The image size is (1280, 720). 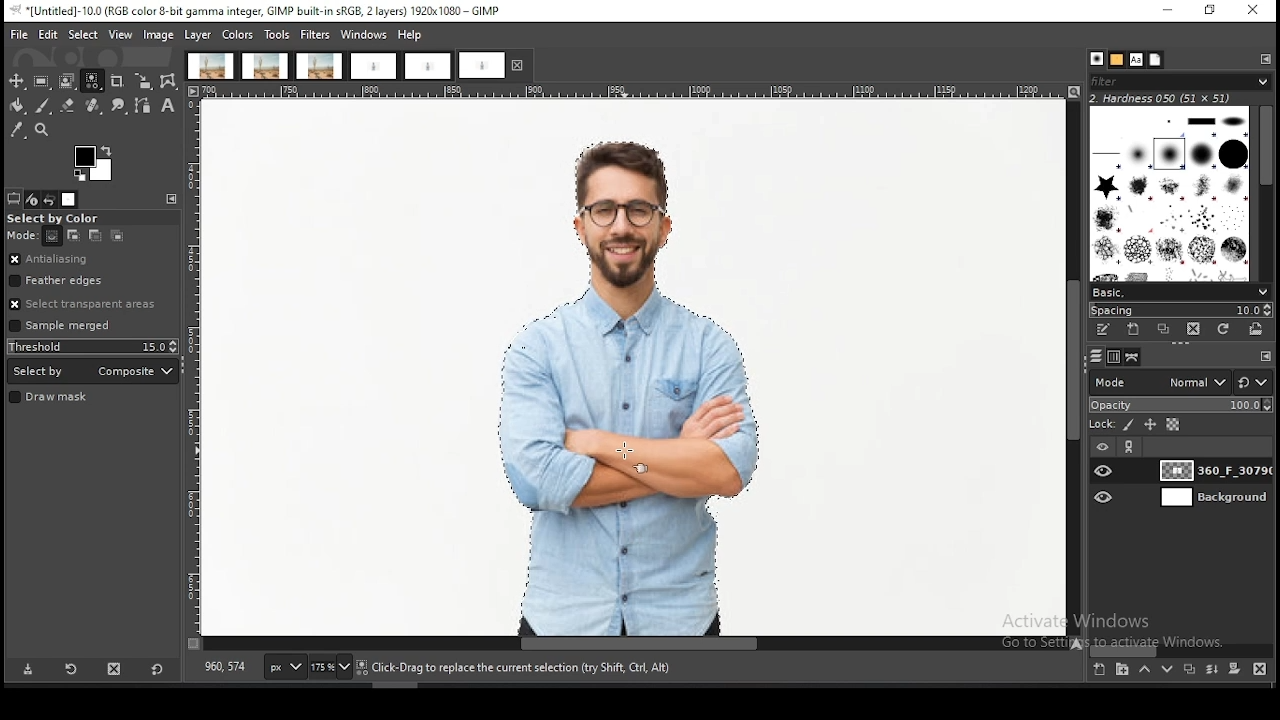 I want to click on delete tool preset, so click(x=116, y=667).